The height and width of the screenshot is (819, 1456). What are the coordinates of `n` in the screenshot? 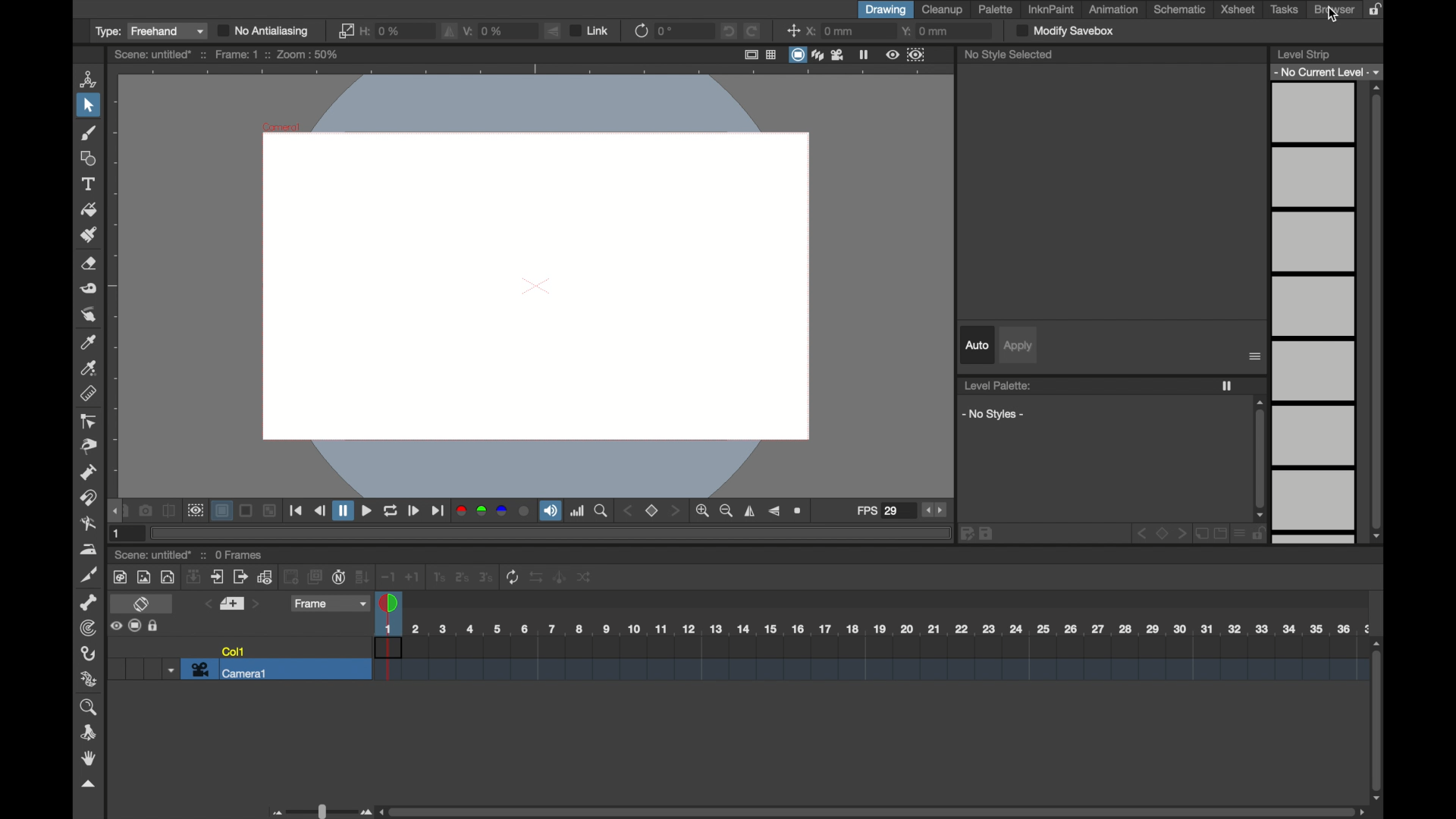 It's located at (337, 576).